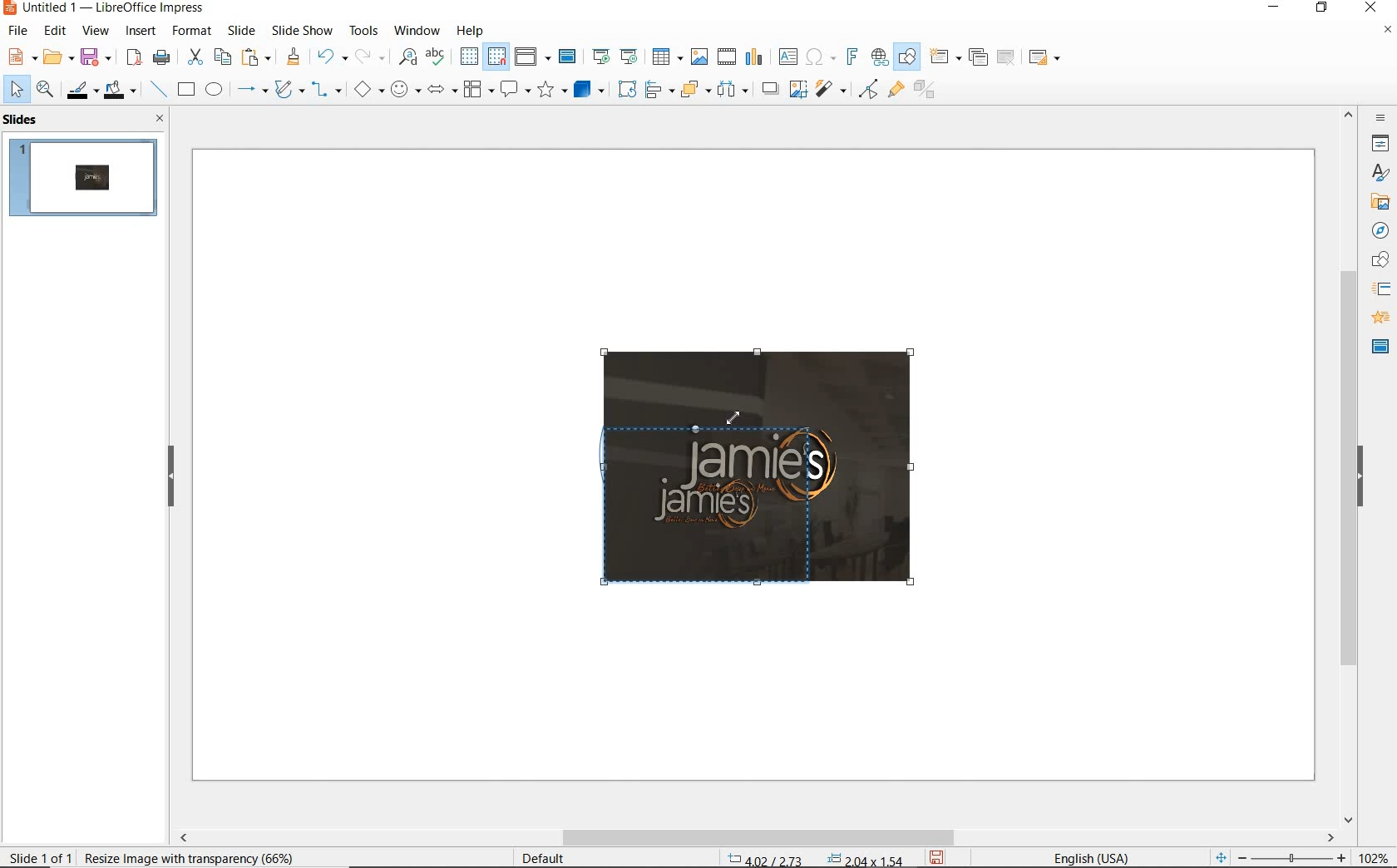 The image size is (1397, 868). I want to click on flowchart, so click(477, 91).